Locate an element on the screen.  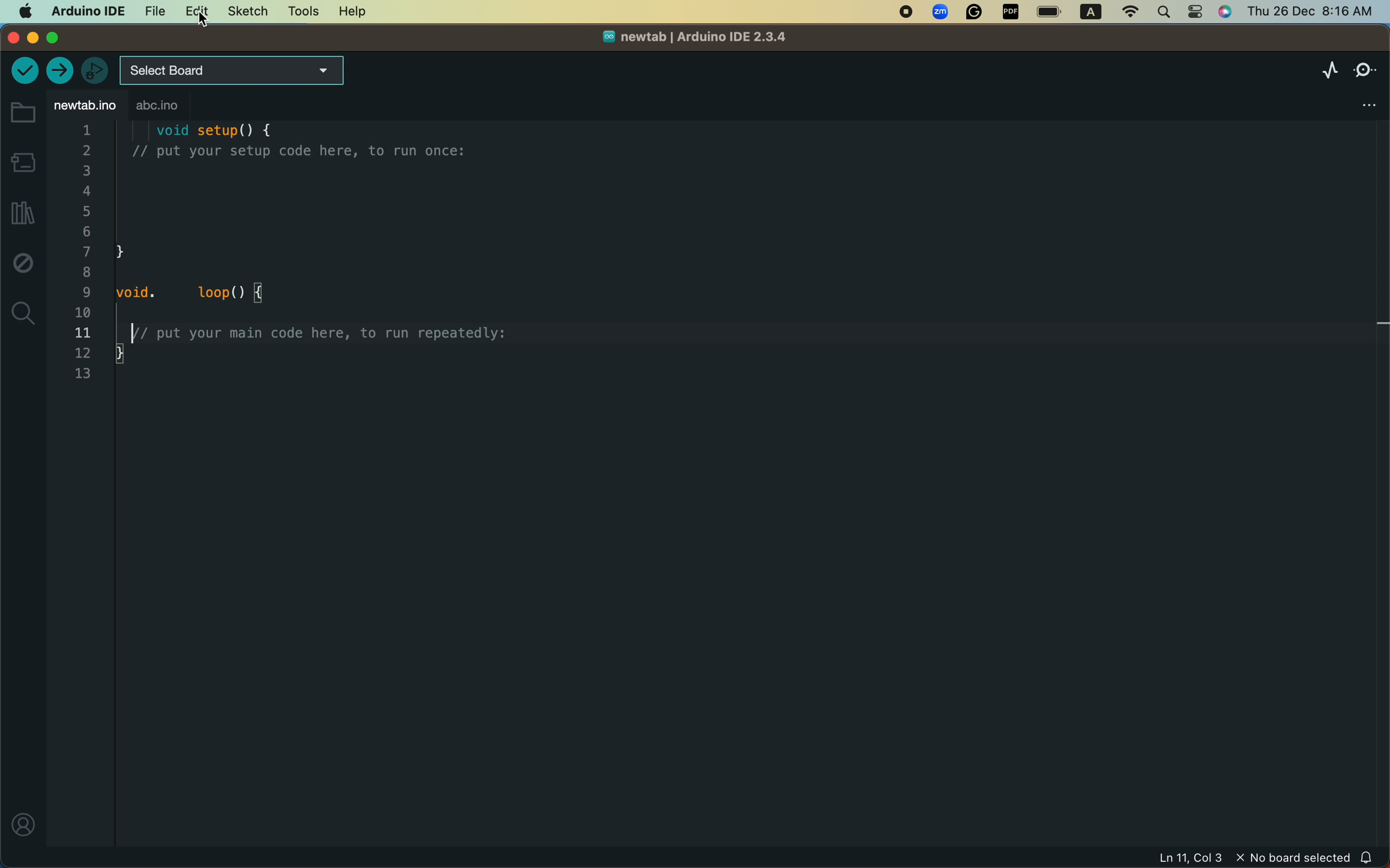
main setting is located at coordinates (24, 11).